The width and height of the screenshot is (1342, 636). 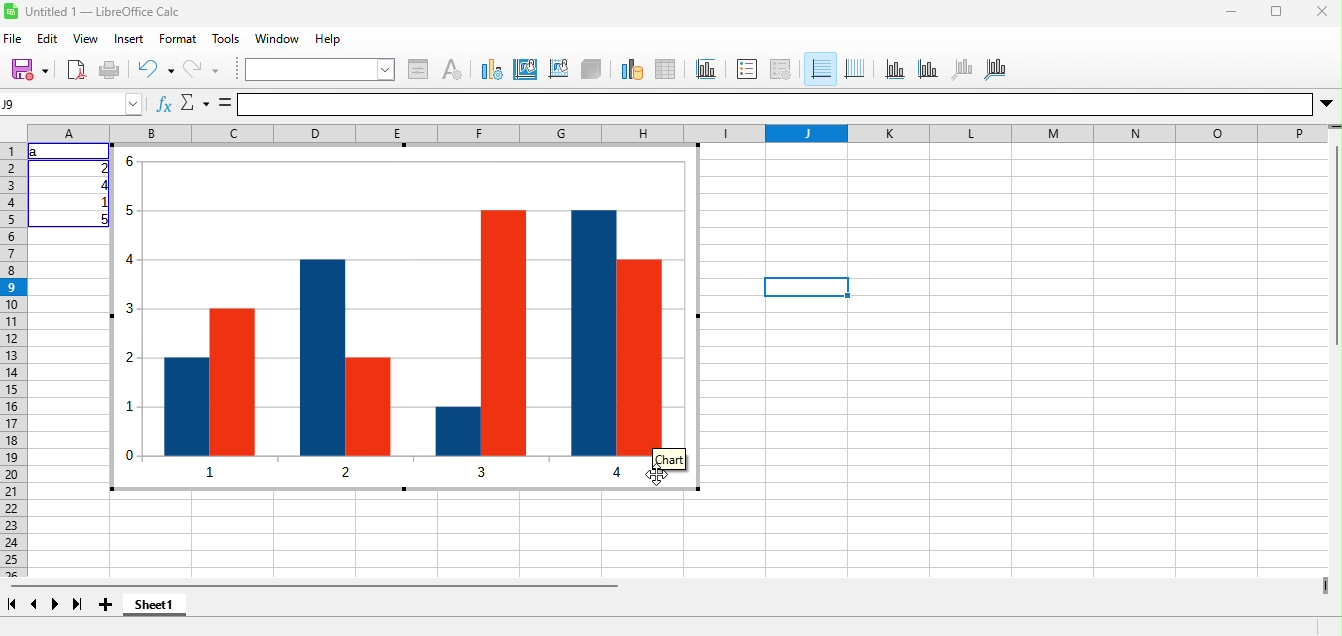 I want to click on add sheet, so click(x=106, y=605).